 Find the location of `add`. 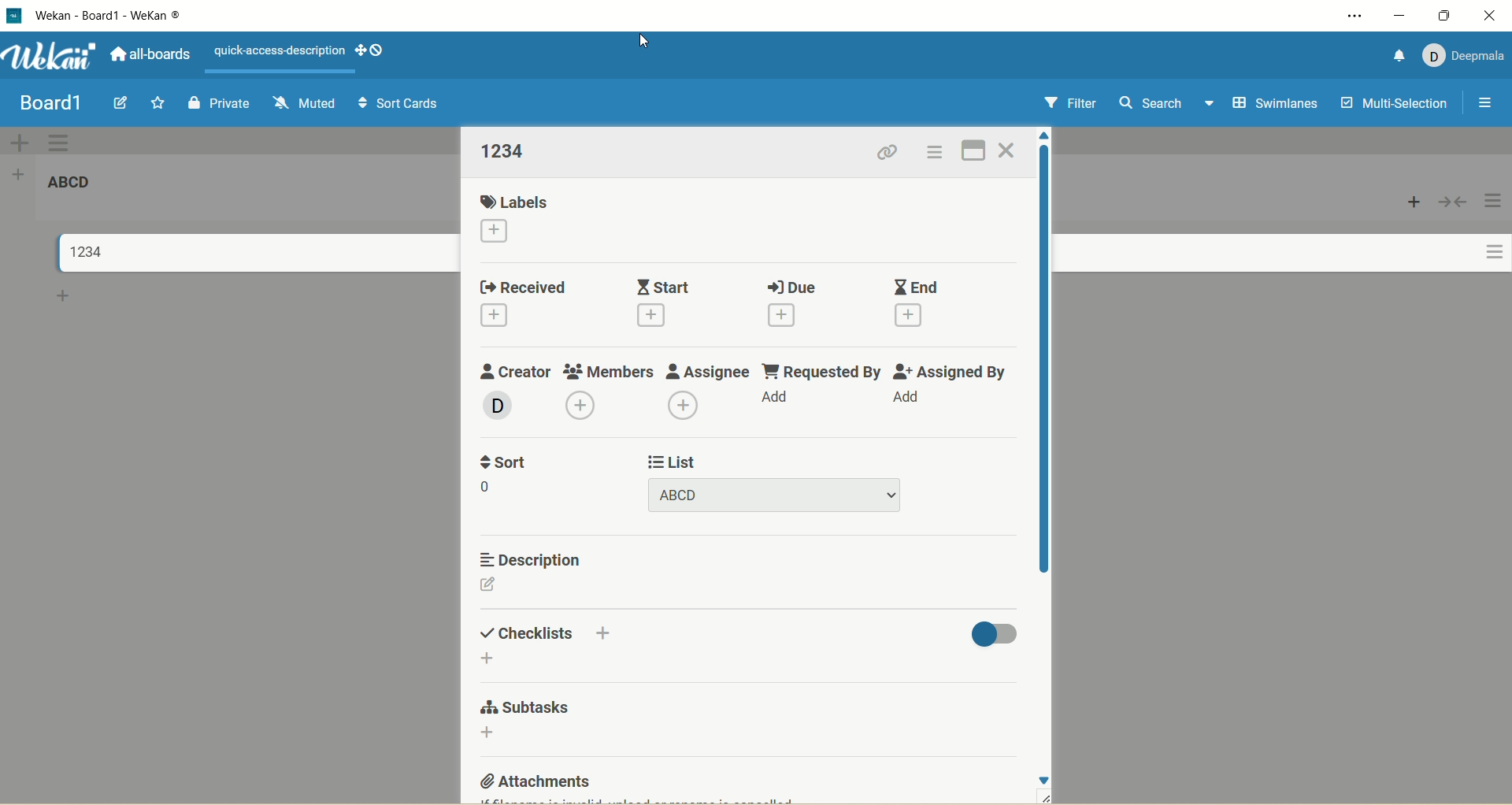

add is located at coordinates (660, 317).